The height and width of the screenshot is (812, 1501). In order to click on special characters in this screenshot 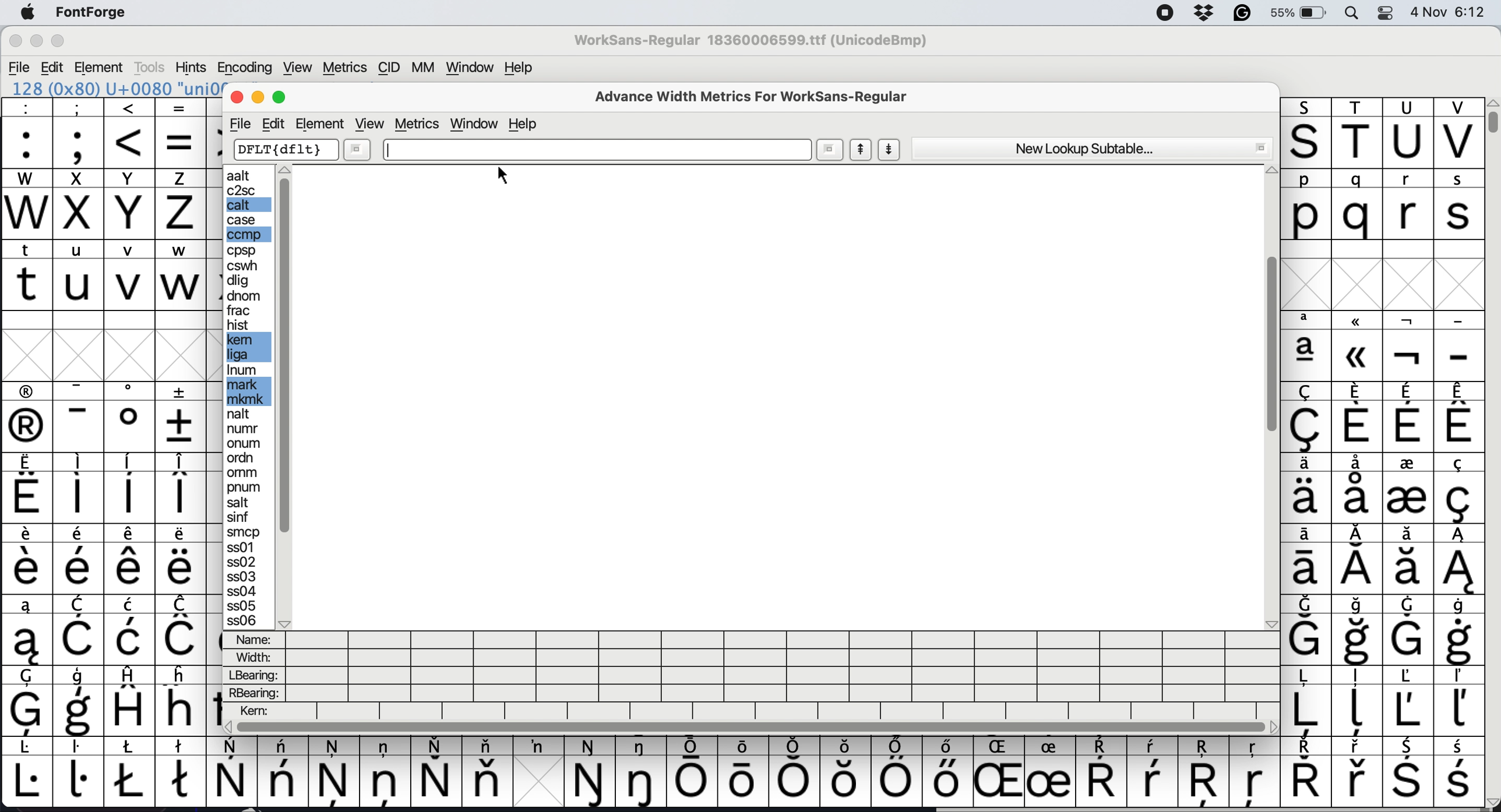, I will do `click(109, 462)`.